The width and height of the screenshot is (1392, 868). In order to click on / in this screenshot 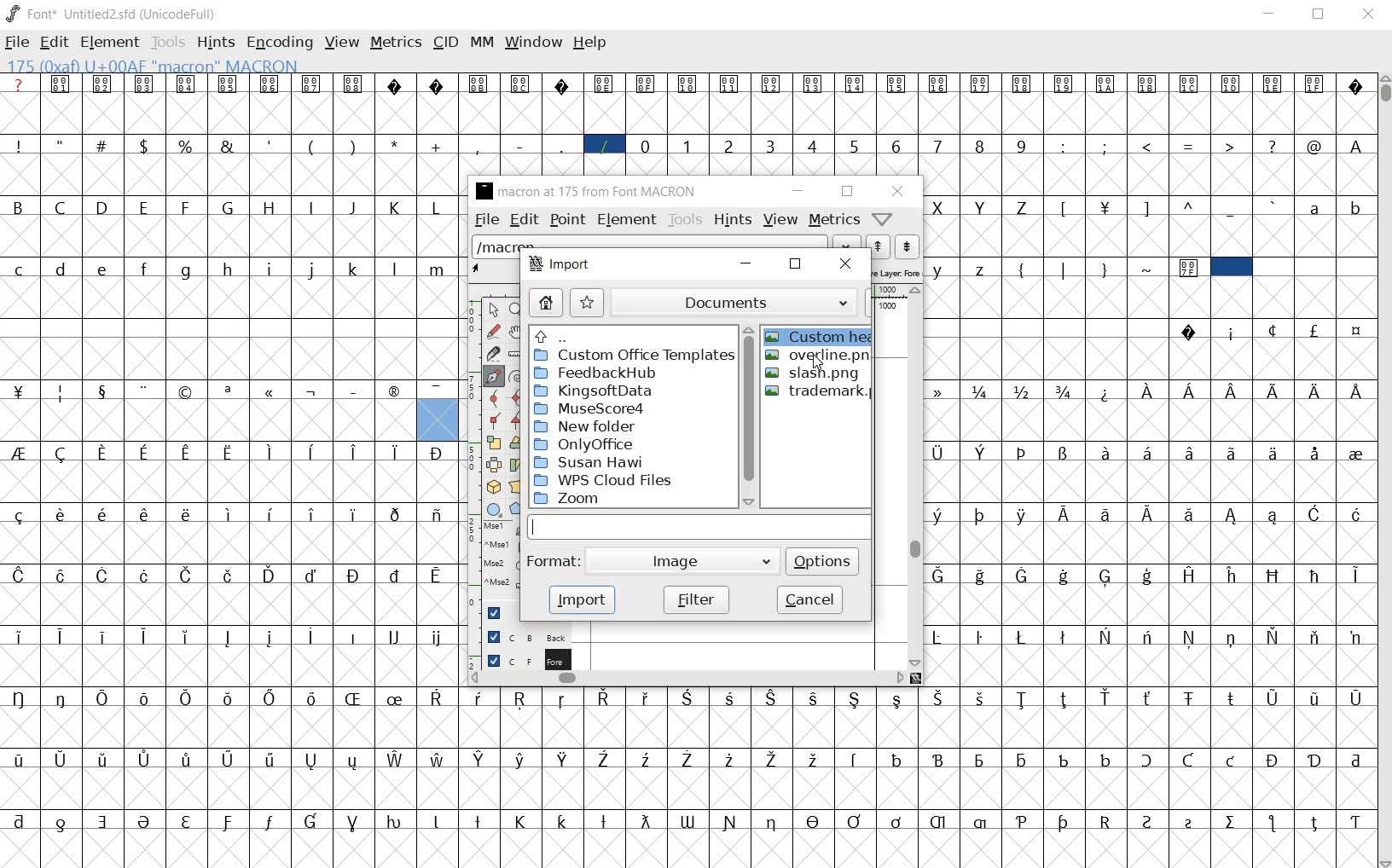, I will do `click(604, 144)`.